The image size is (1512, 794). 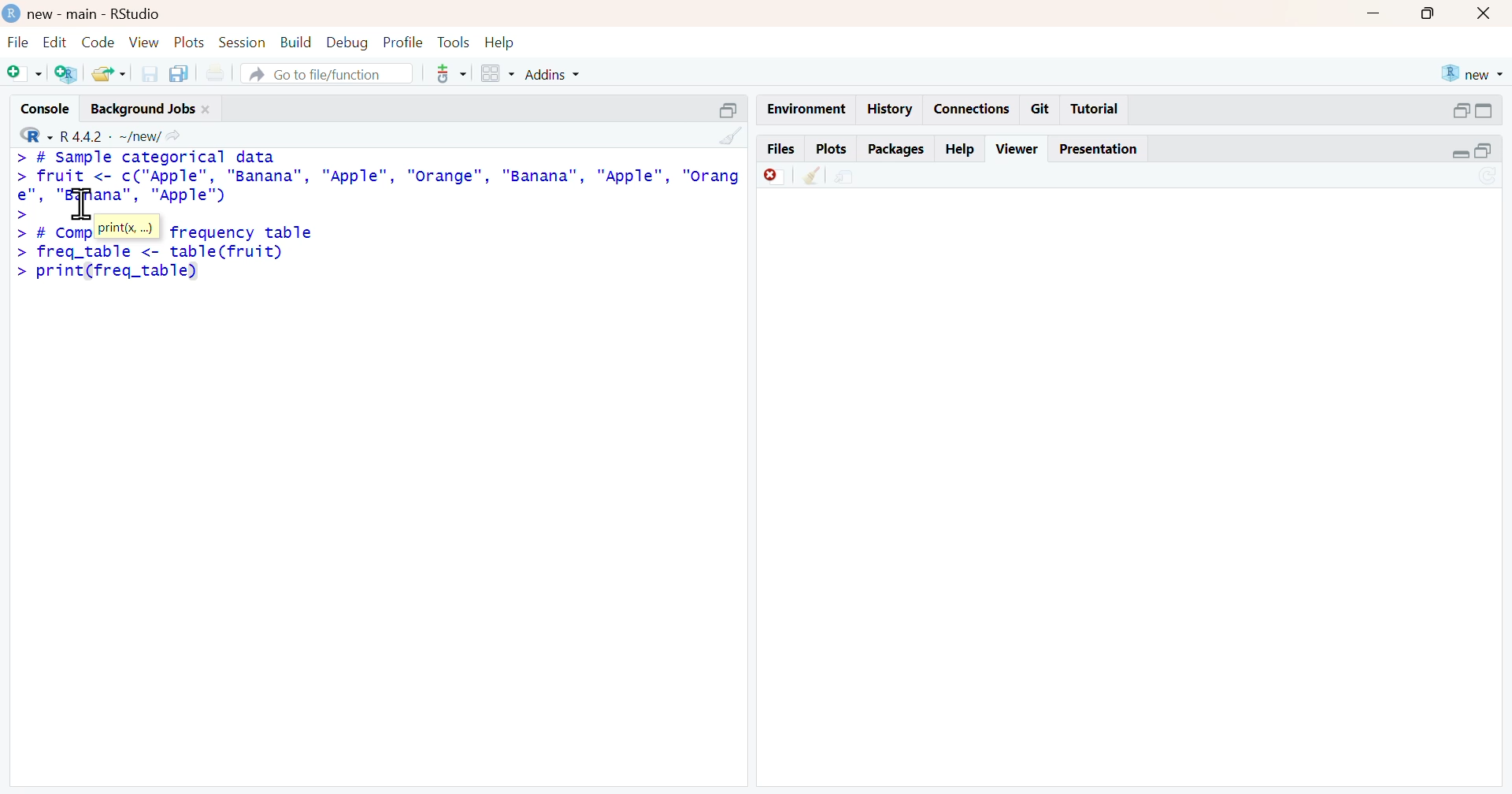 I want to click on edit, so click(x=54, y=42).